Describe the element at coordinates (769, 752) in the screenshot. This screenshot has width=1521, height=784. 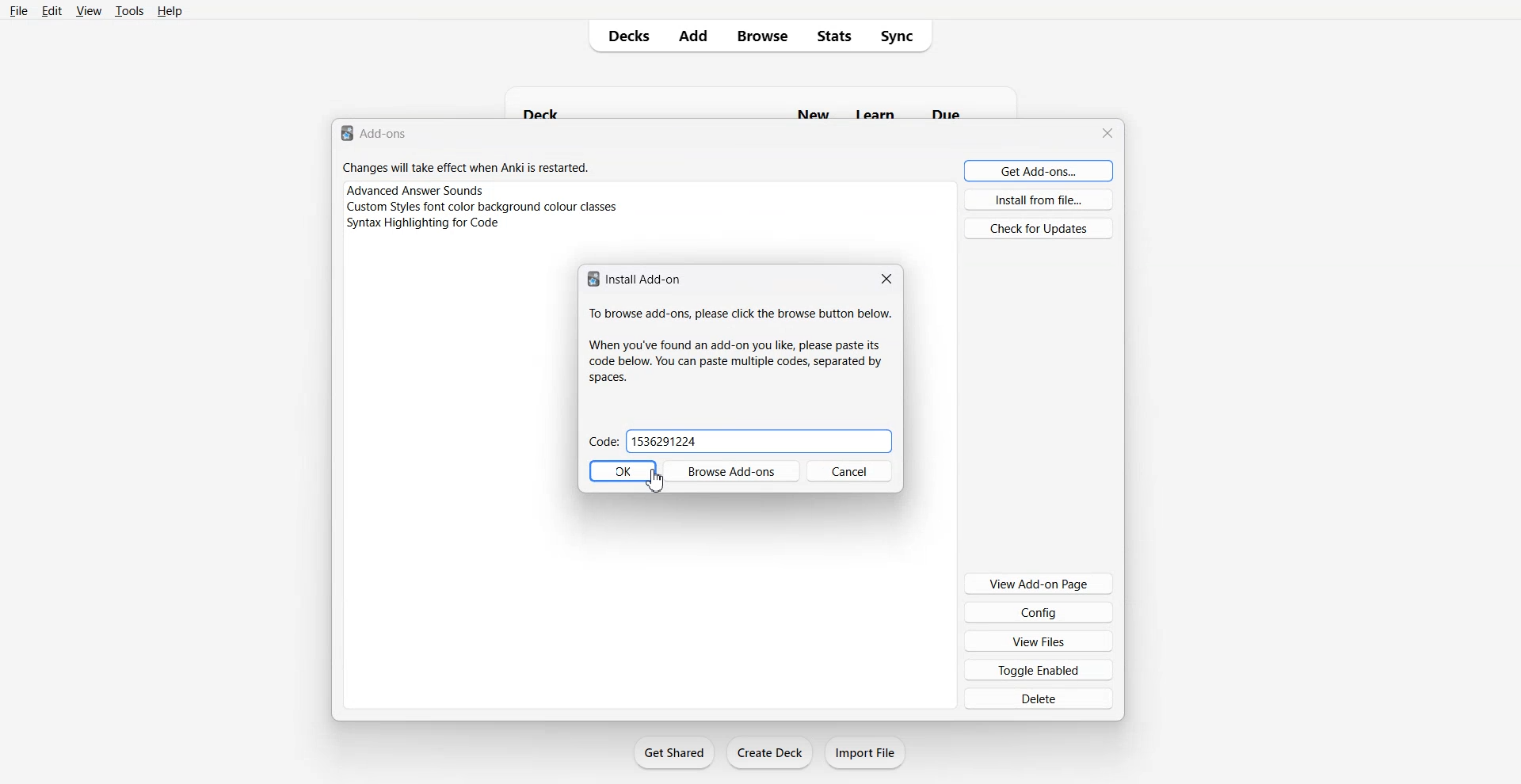
I see `Create Deck` at that location.